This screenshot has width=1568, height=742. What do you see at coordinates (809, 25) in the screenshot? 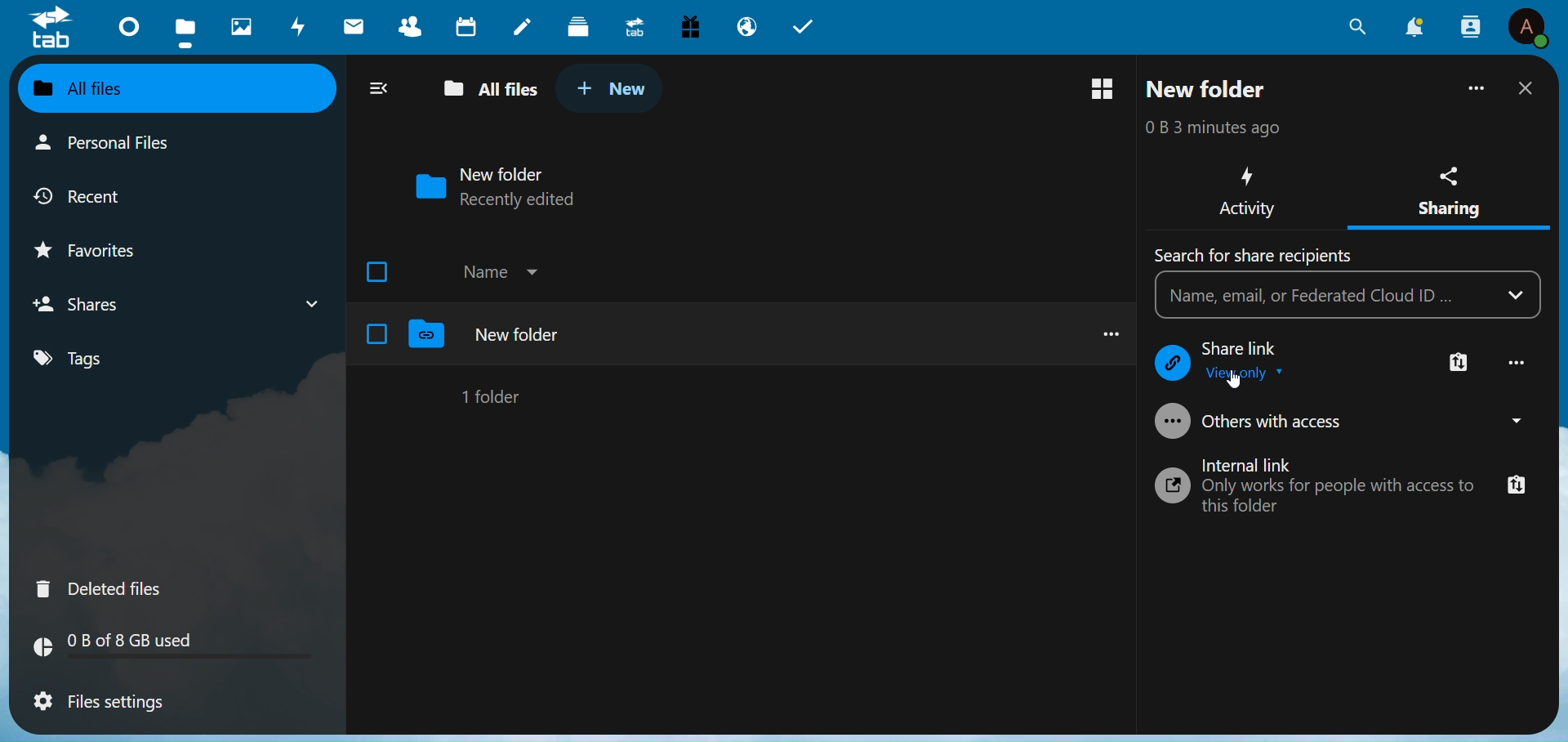
I see `Tab` at bounding box center [809, 25].